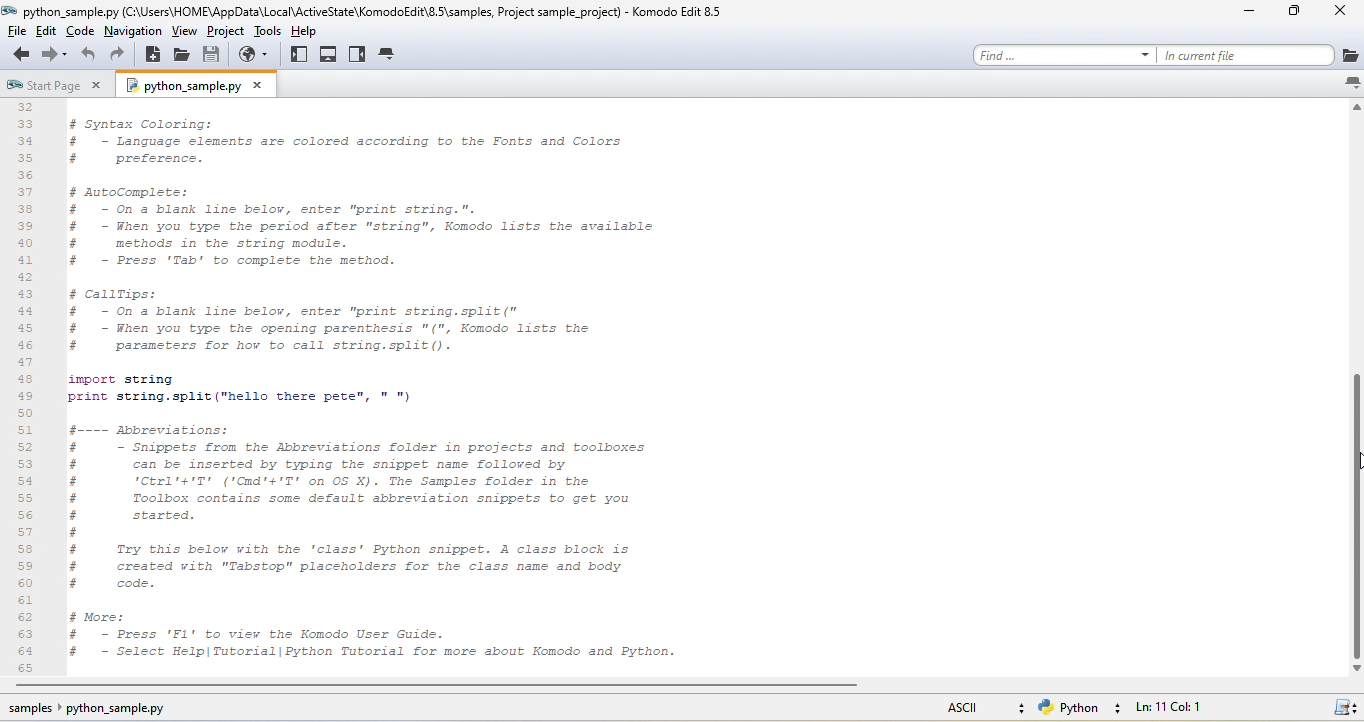  Describe the element at coordinates (267, 33) in the screenshot. I see `tools` at that location.